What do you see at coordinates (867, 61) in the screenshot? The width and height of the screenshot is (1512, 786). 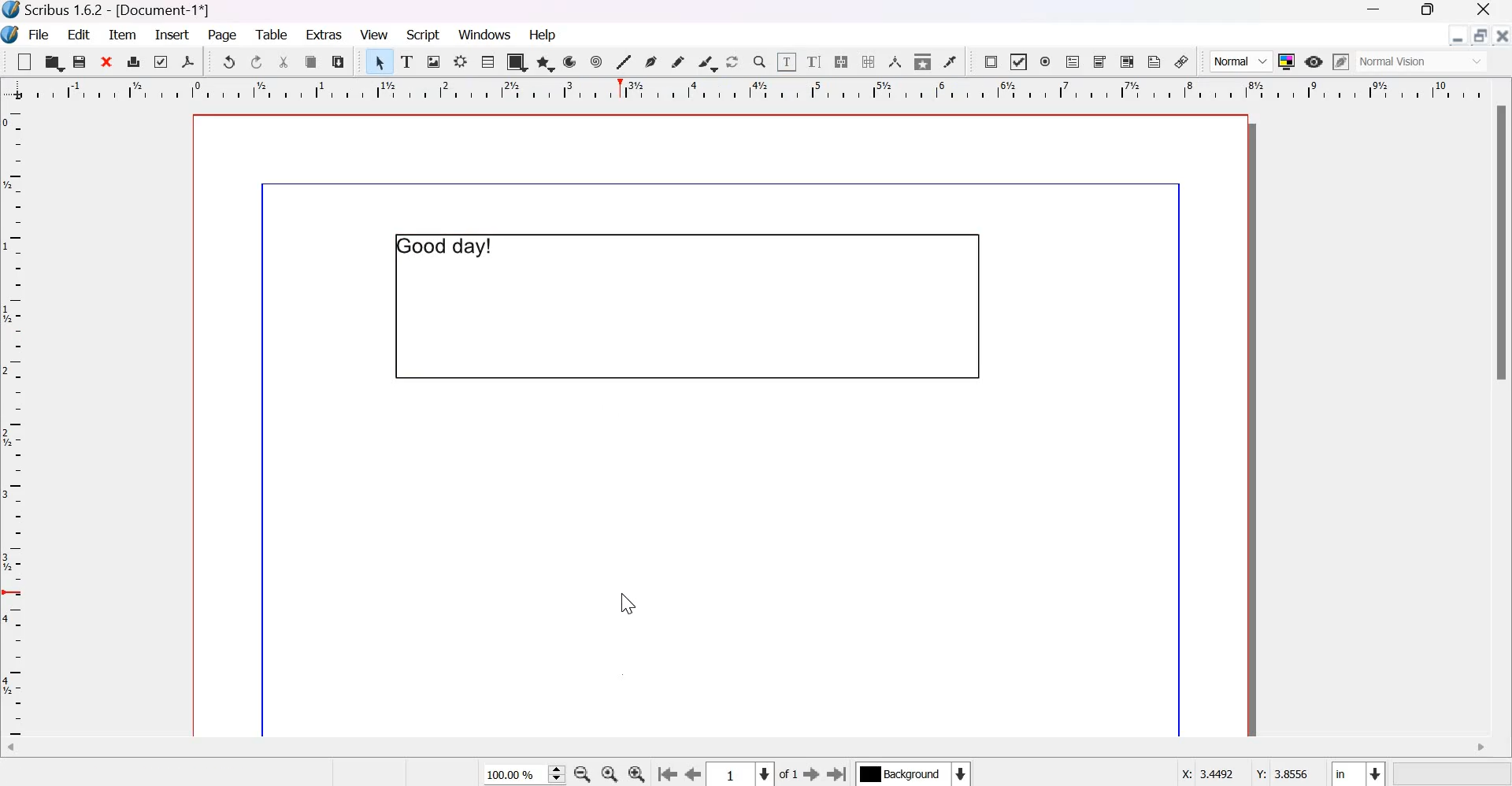 I see `unlink text frames` at bounding box center [867, 61].